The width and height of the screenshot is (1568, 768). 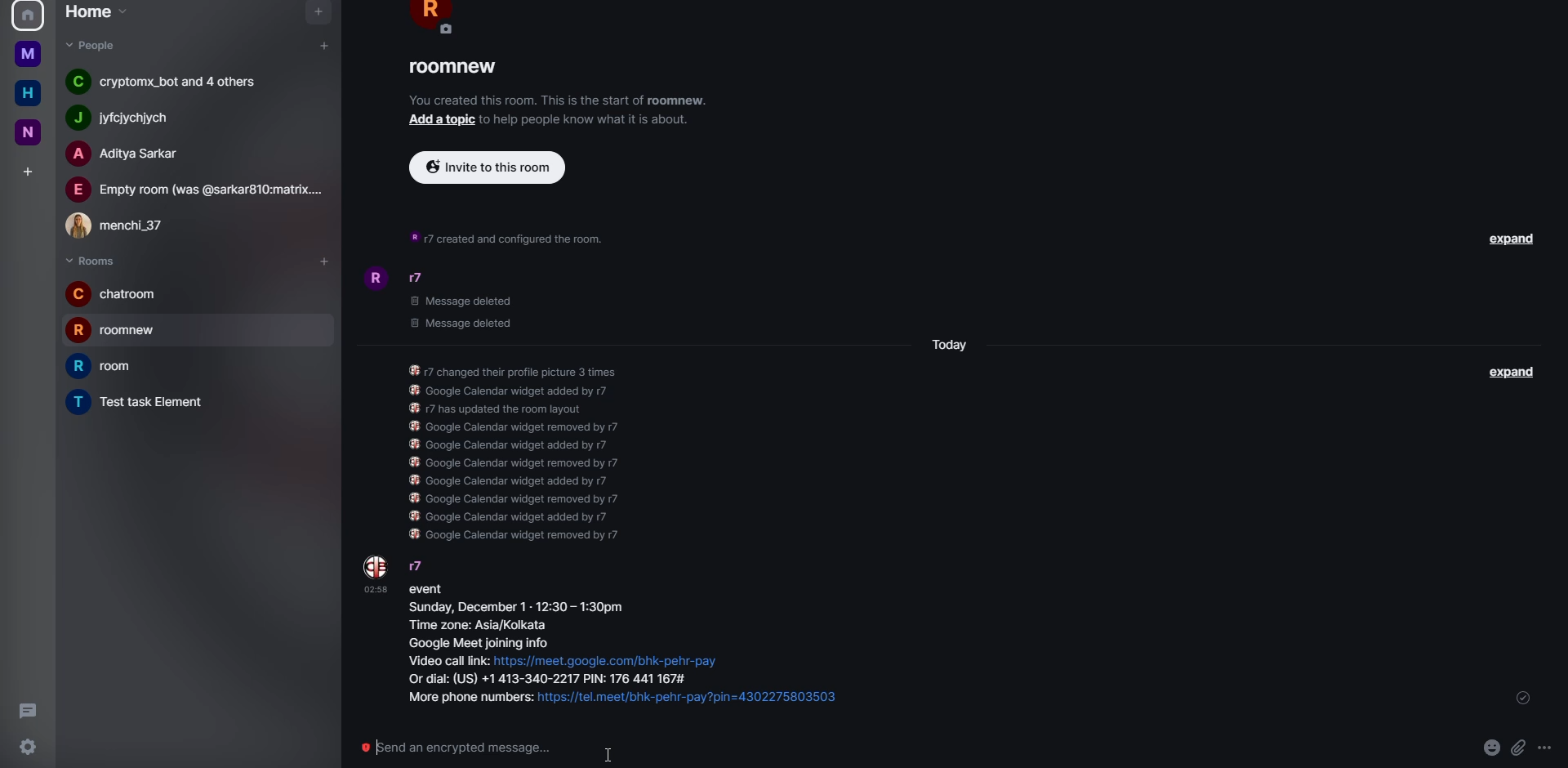 What do you see at coordinates (116, 293) in the screenshot?
I see `room` at bounding box center [116, 293].